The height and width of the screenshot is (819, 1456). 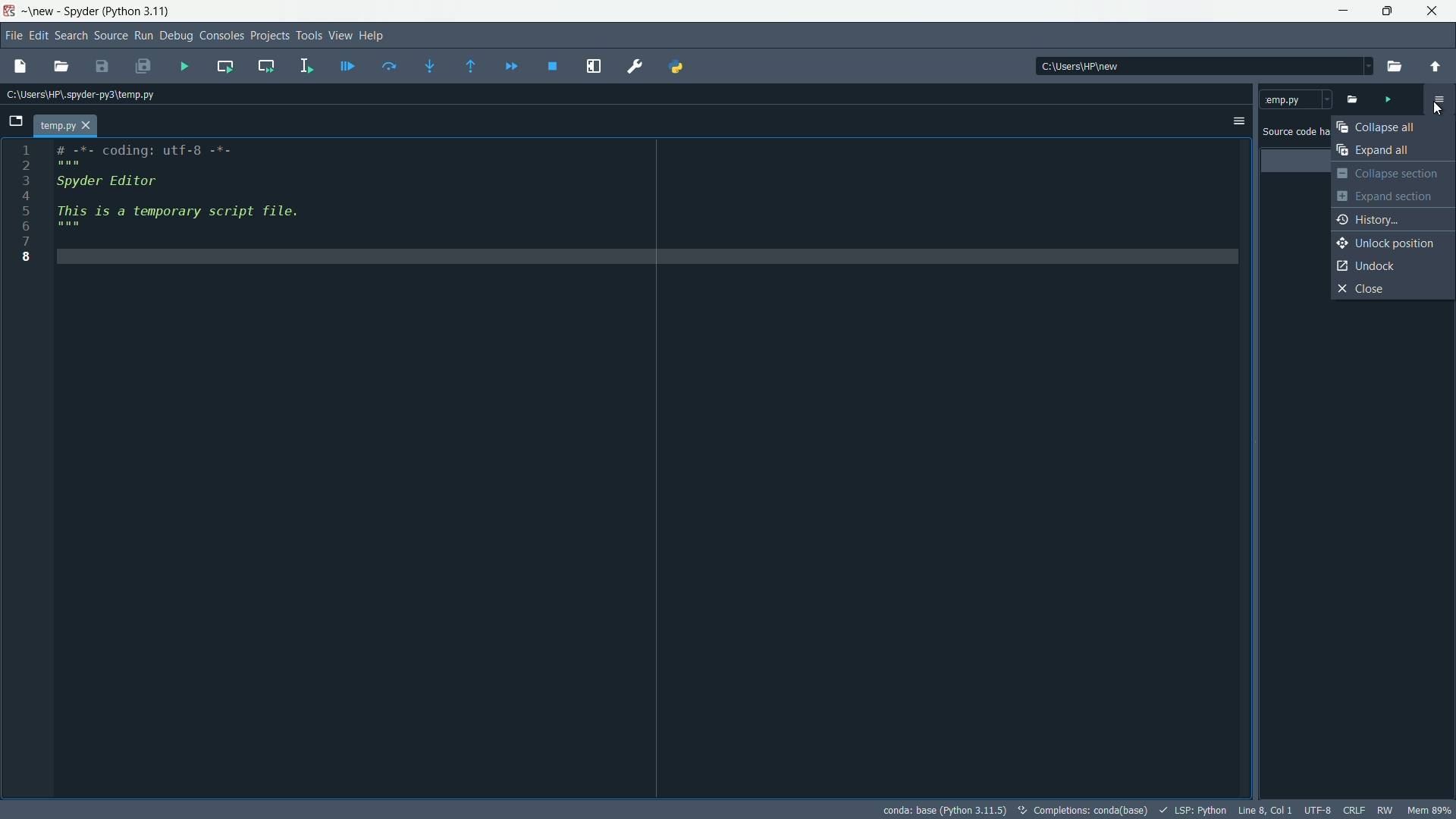 I want to click on conda: base(Python 3.11.5), so click(x=938, y=810).